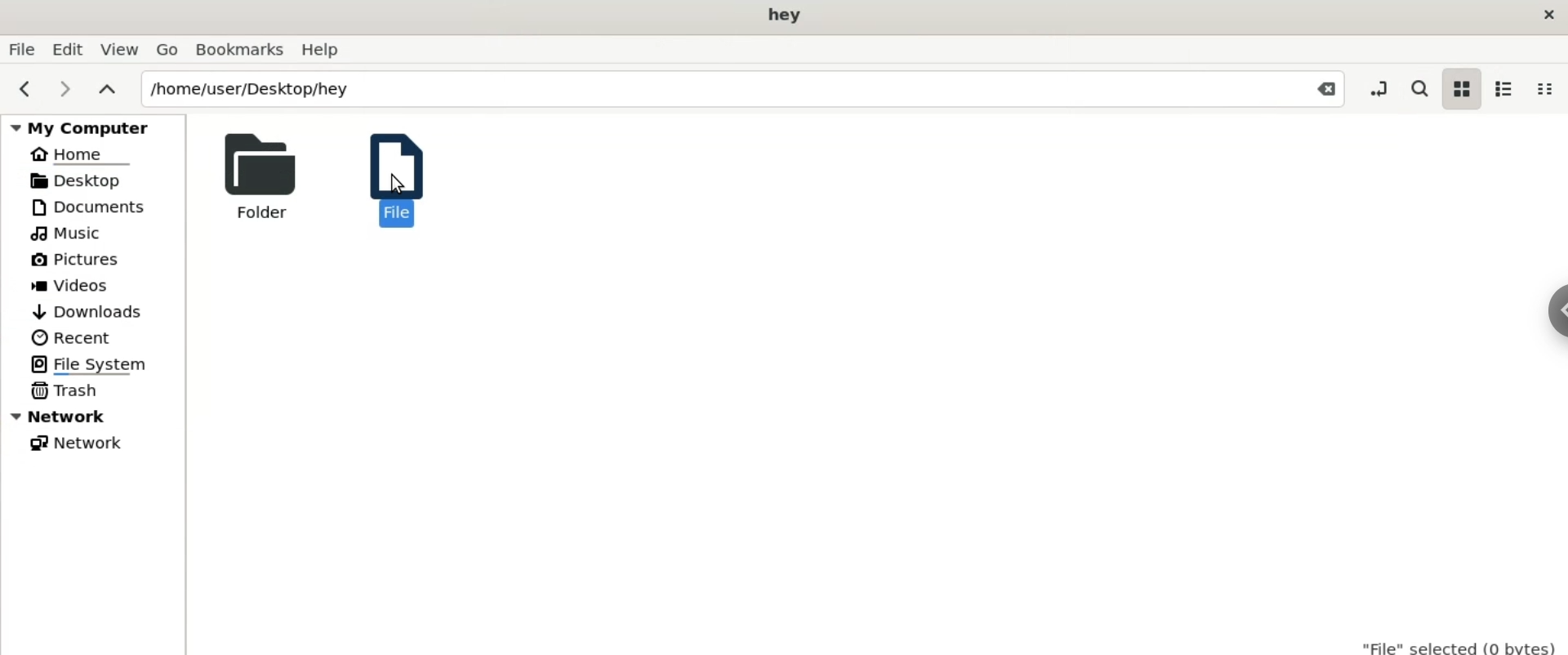 This screenshot has width=1568, height=655. I want to click on cursor, so click(400, 185).